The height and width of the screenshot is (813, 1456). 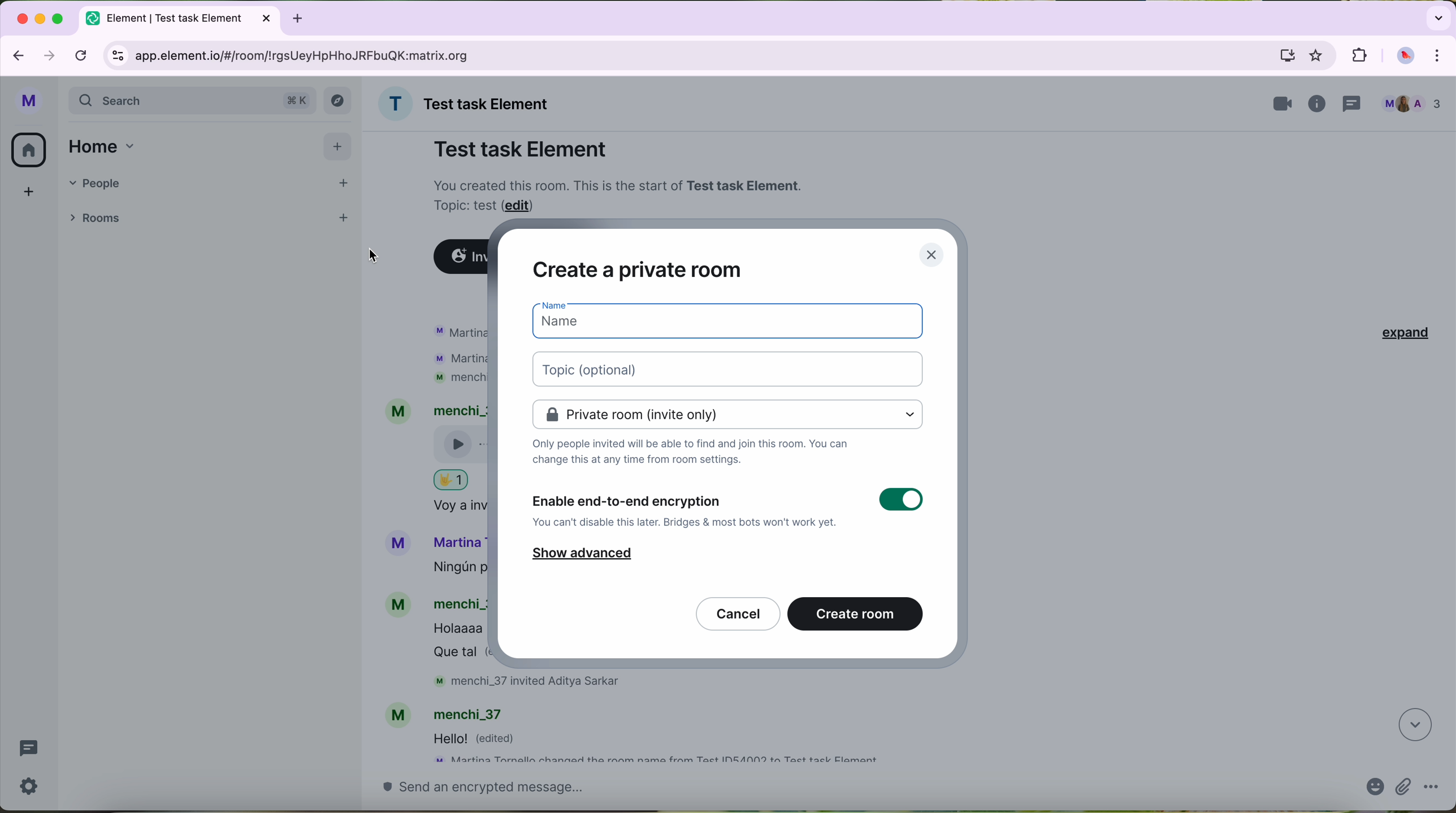 I want to click on minimize, so click(x=42, y=19).